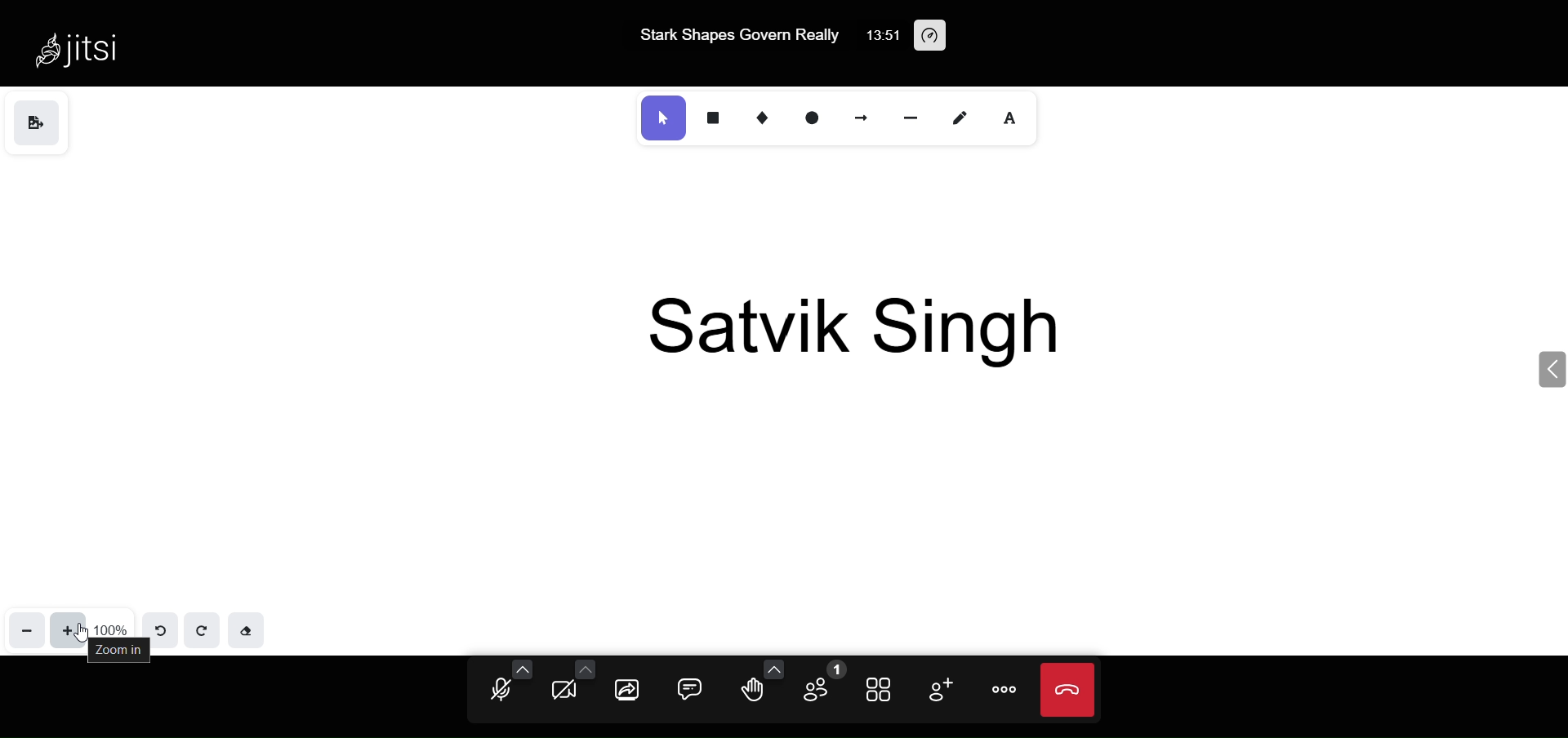 The image size is (1568, 738). Describe the element at coordinates (885, 36) in the screenshot. I see `13:51` at that location.